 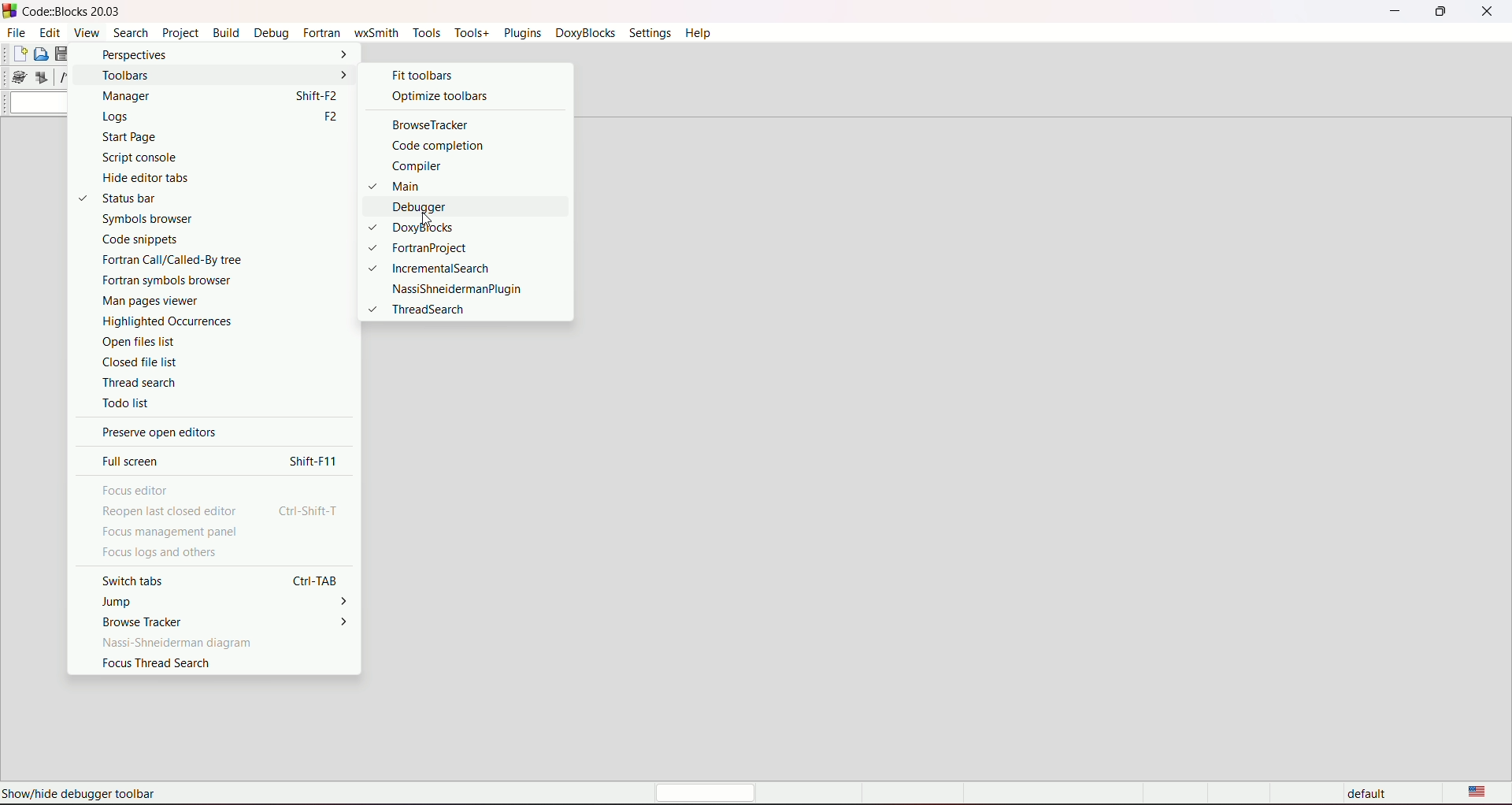 I want to click on build, so click(x=224, y=33).